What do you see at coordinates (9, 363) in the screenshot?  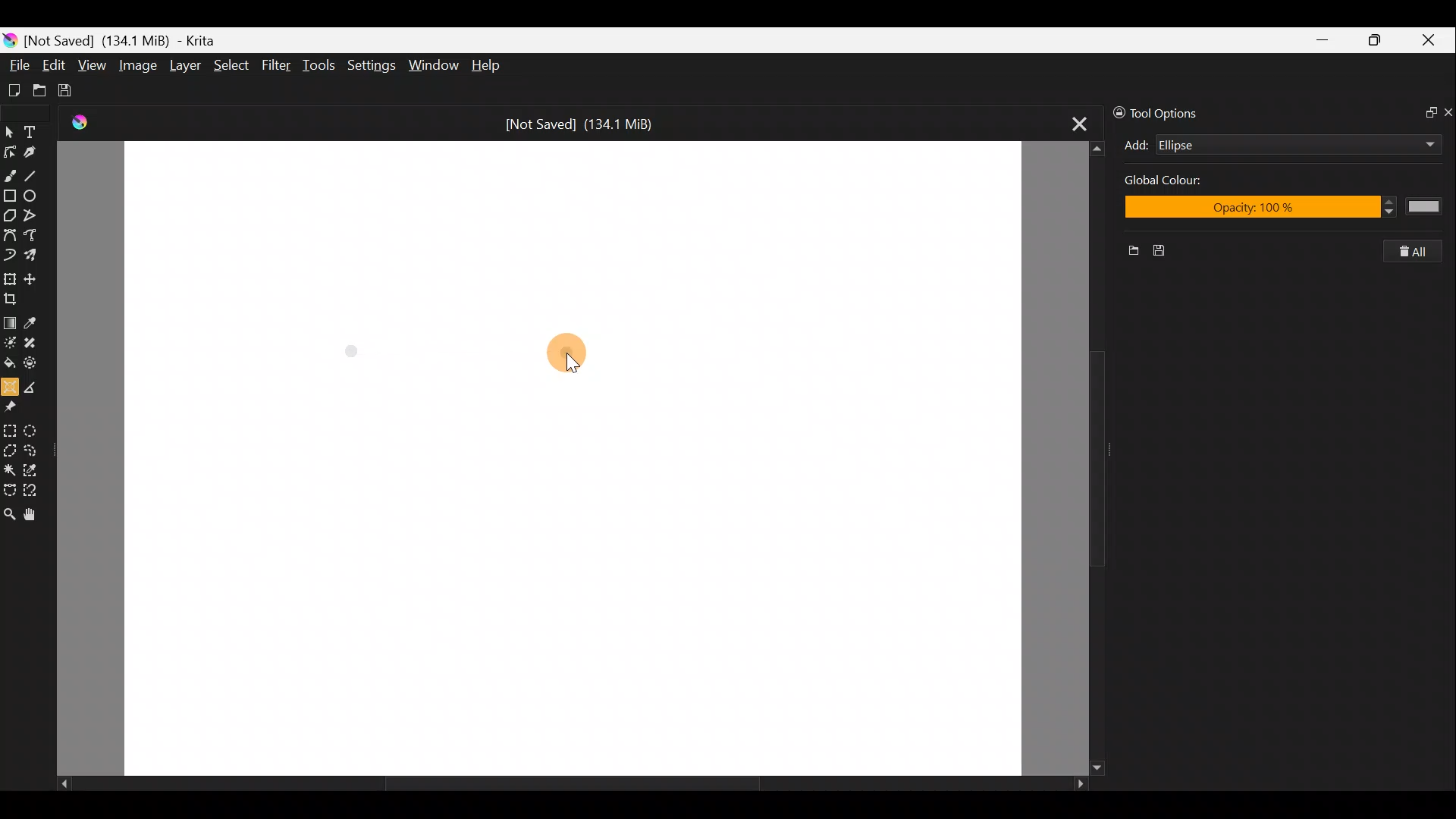 I see `Fill a contiguous area of color with color` at bounding box center [9, 363].